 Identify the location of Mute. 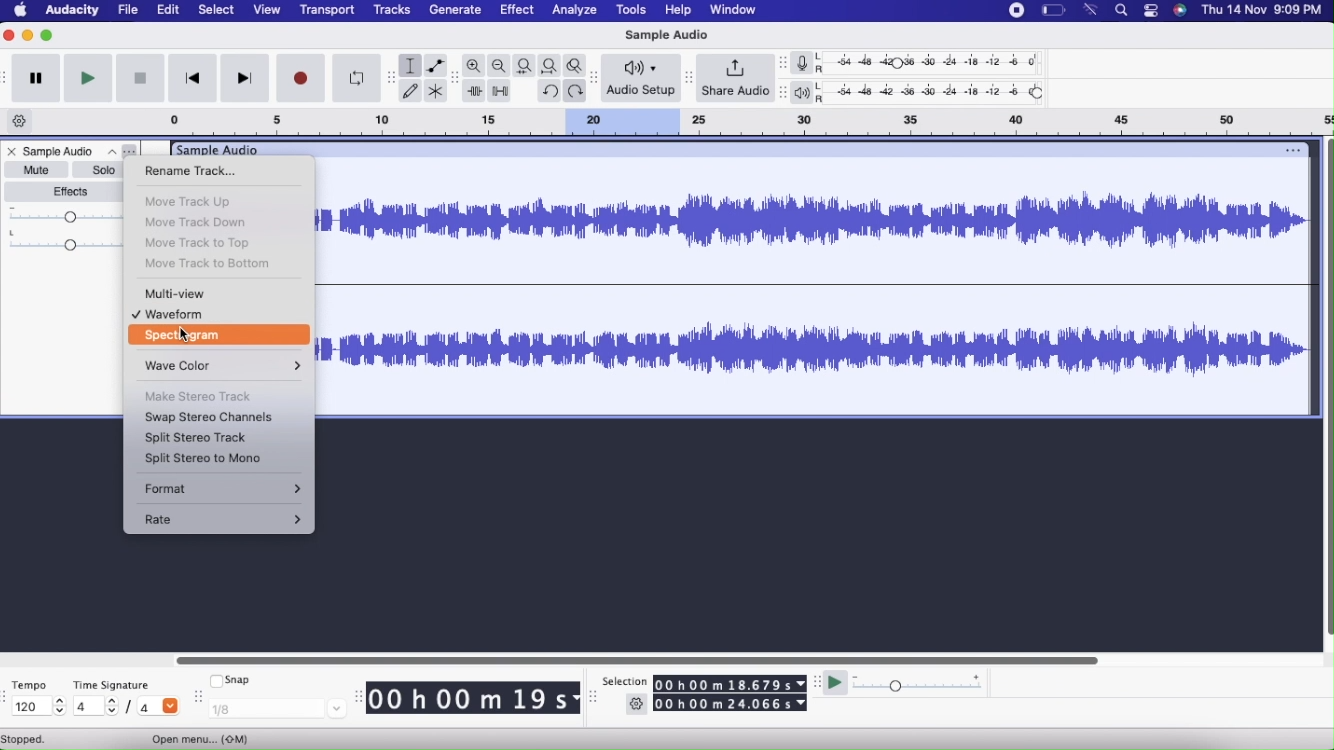
(39, 169).